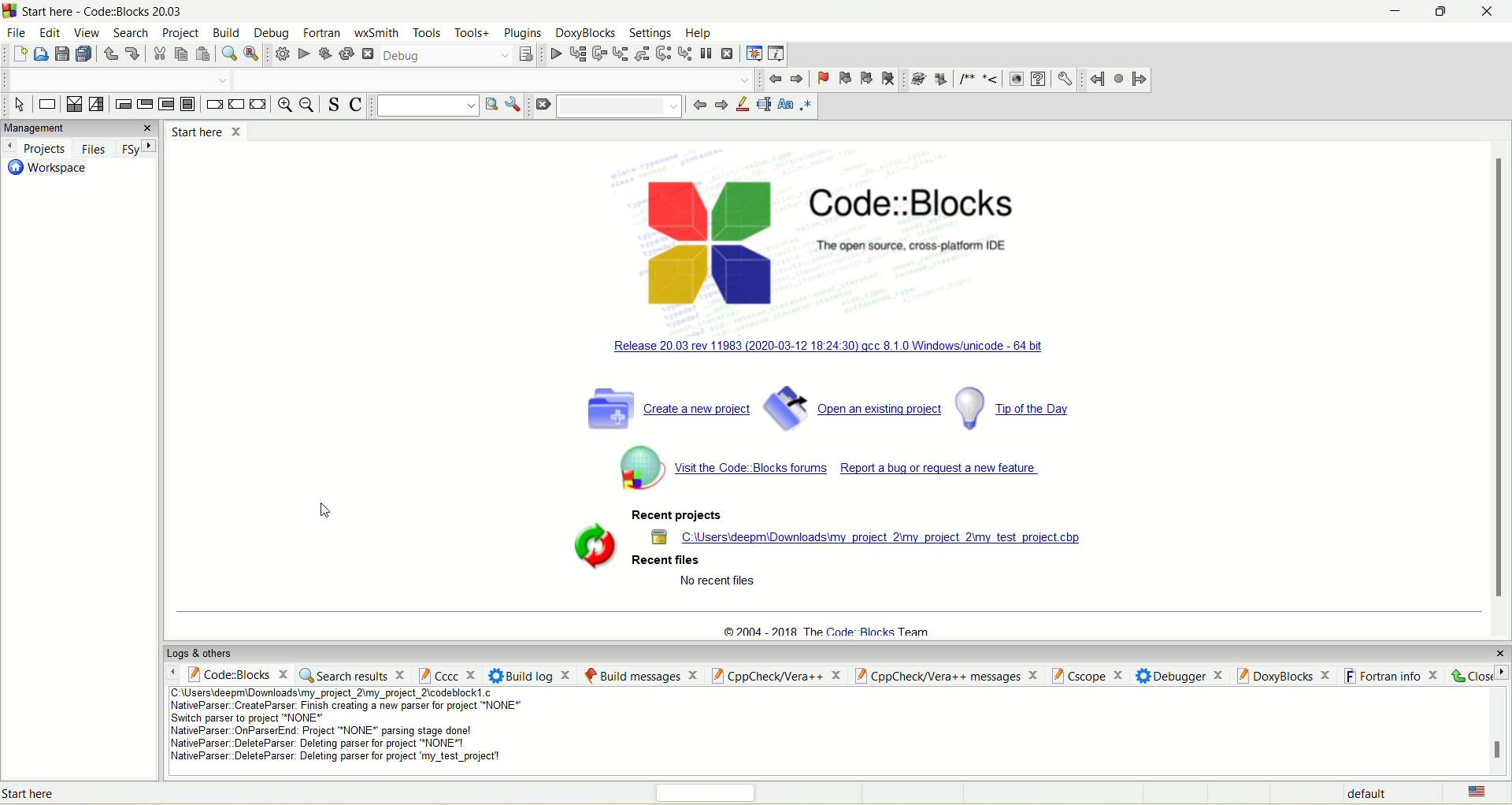 The image size is (1512, 805). Describe the element at coordinates (836, 633) in the screenshot. I see `text` at that location.